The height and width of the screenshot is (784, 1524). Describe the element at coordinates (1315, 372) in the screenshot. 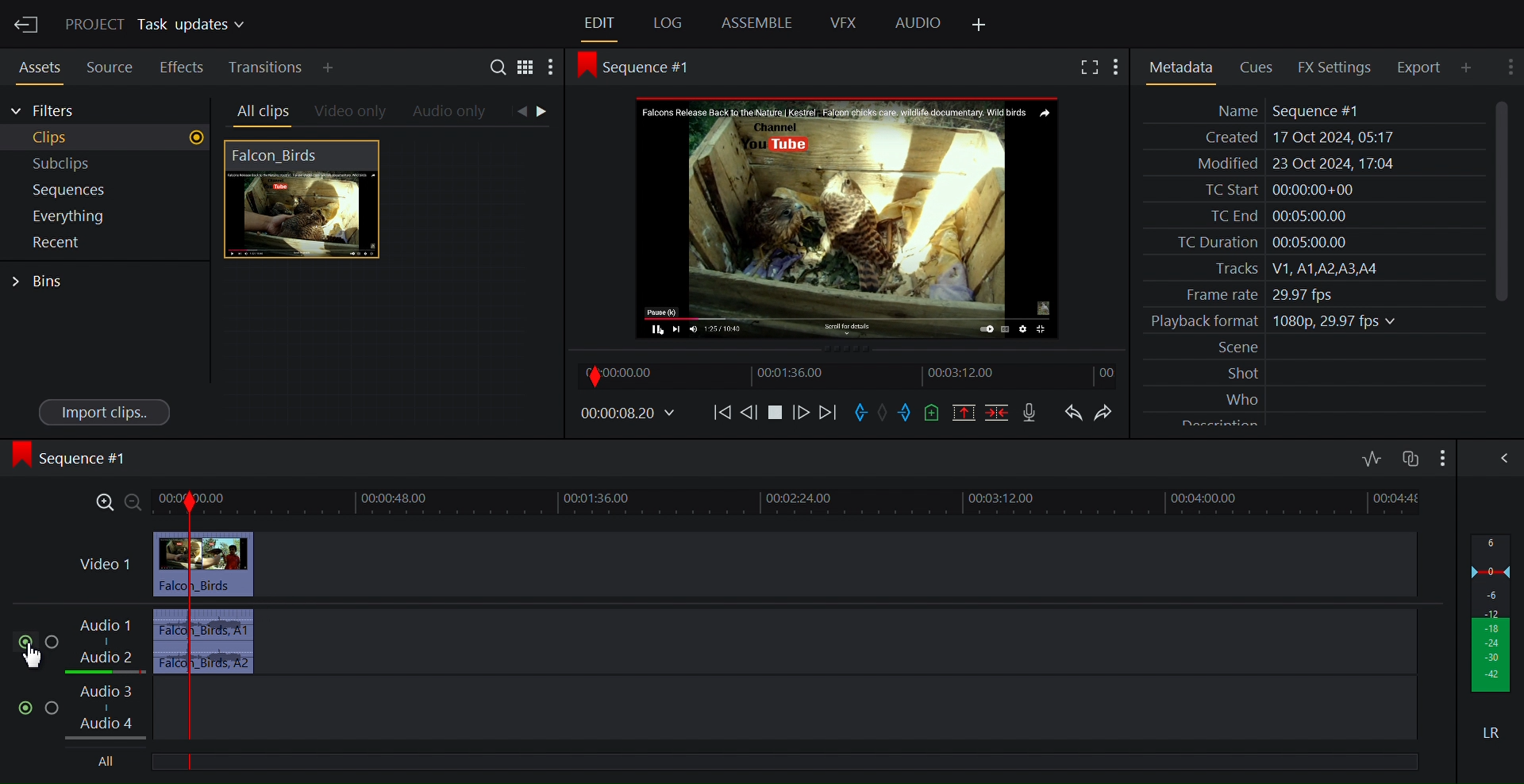

I see `Shot` at that location.